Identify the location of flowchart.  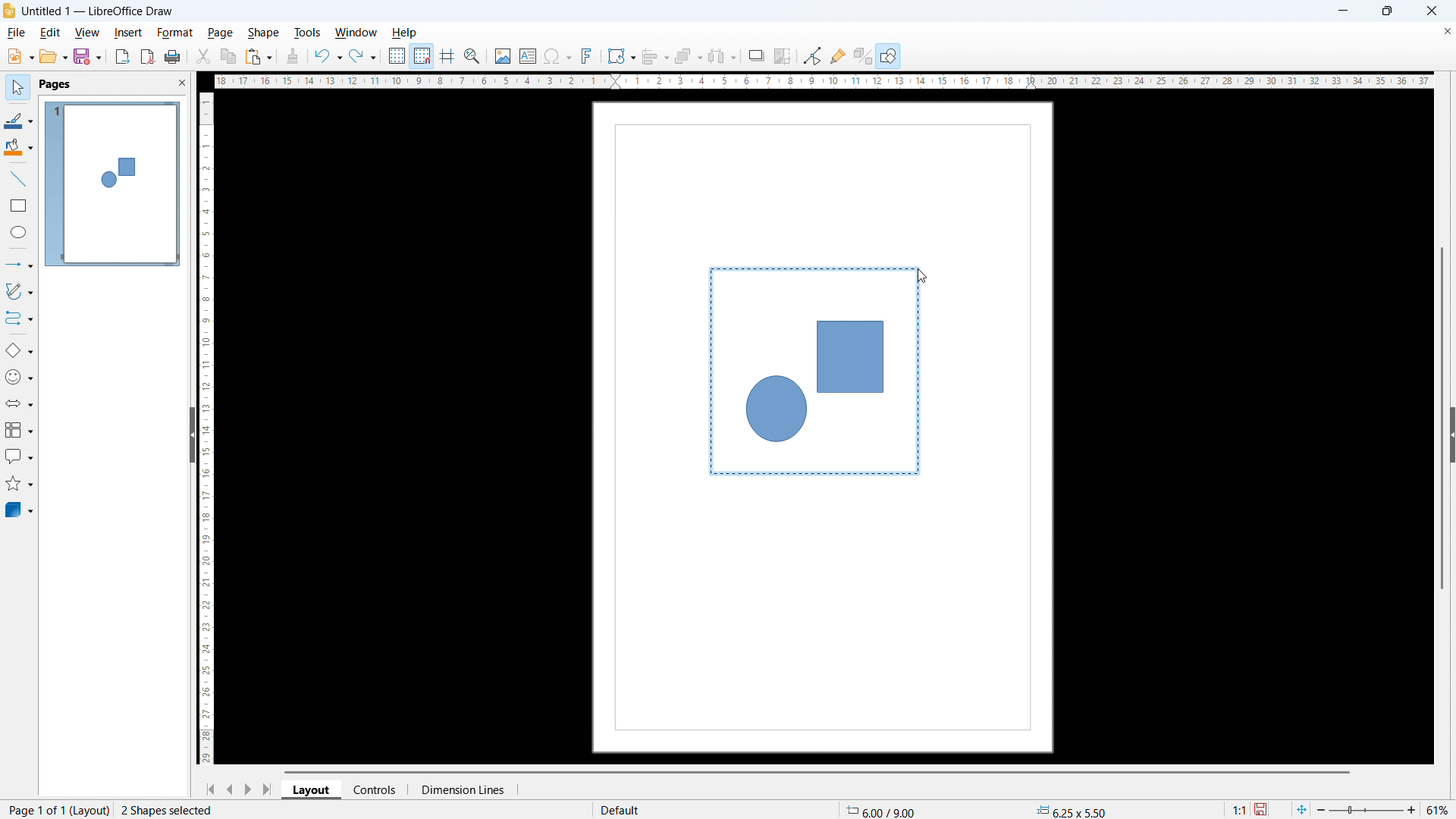
(17, 431).